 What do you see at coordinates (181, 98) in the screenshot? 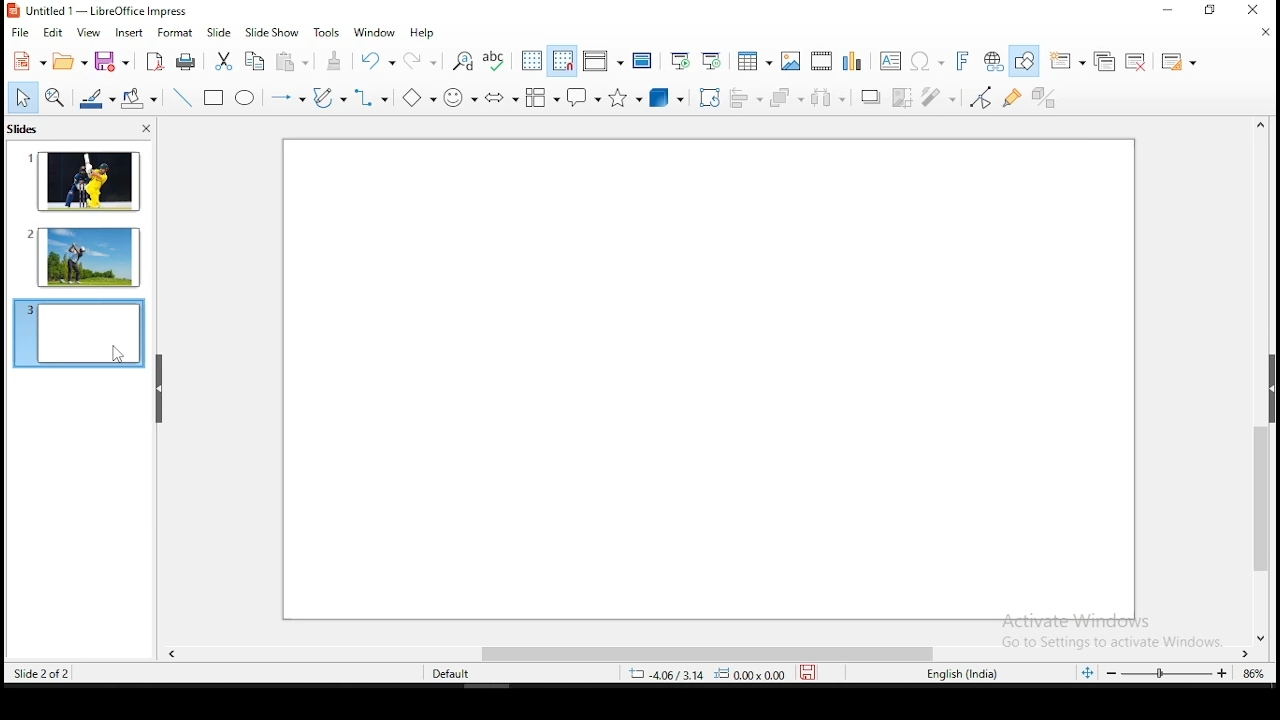
I see `line` at bounding box center [181, 98].